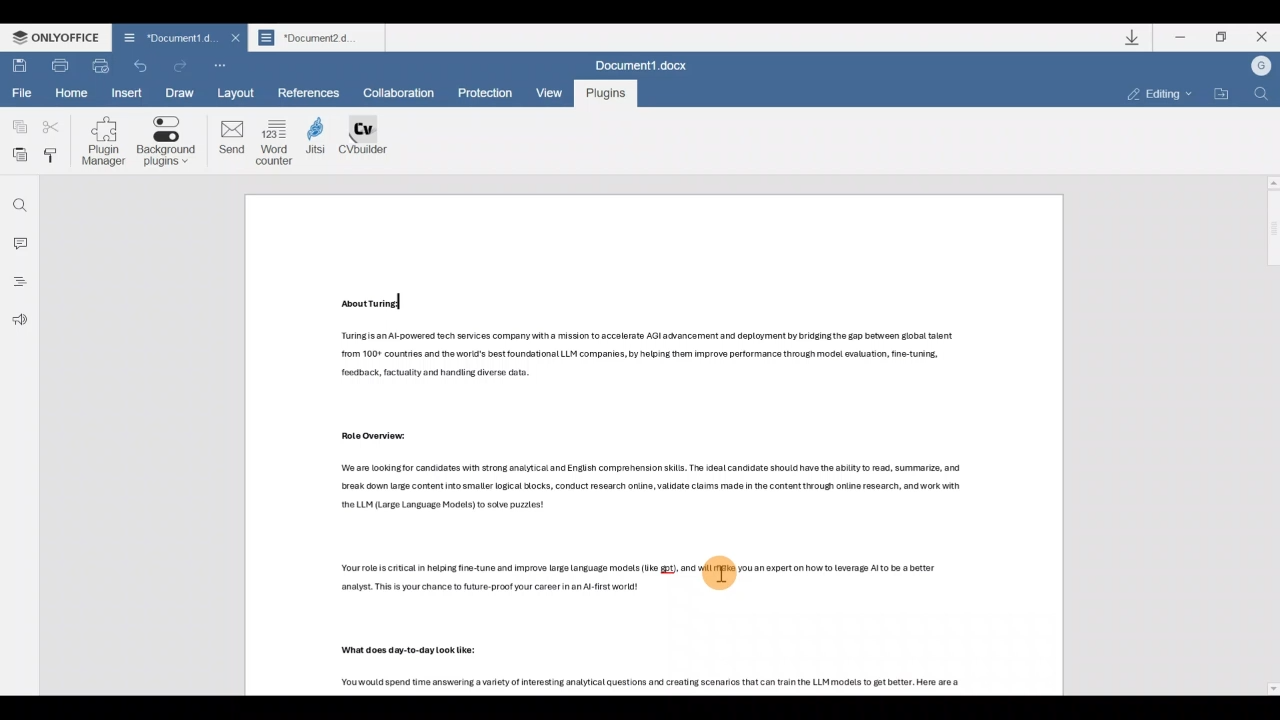 The image size is (1280, 720). I want to click on , so click(365, 437).